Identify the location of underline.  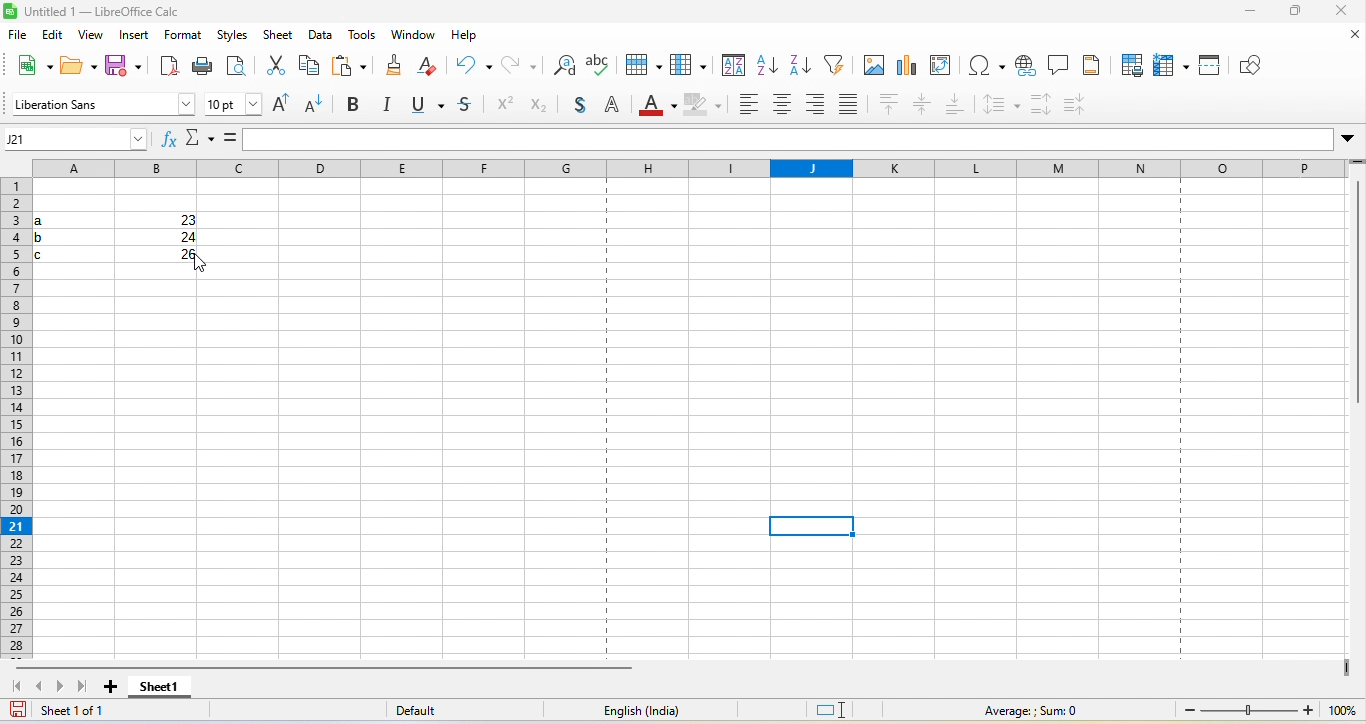
(426, 107).